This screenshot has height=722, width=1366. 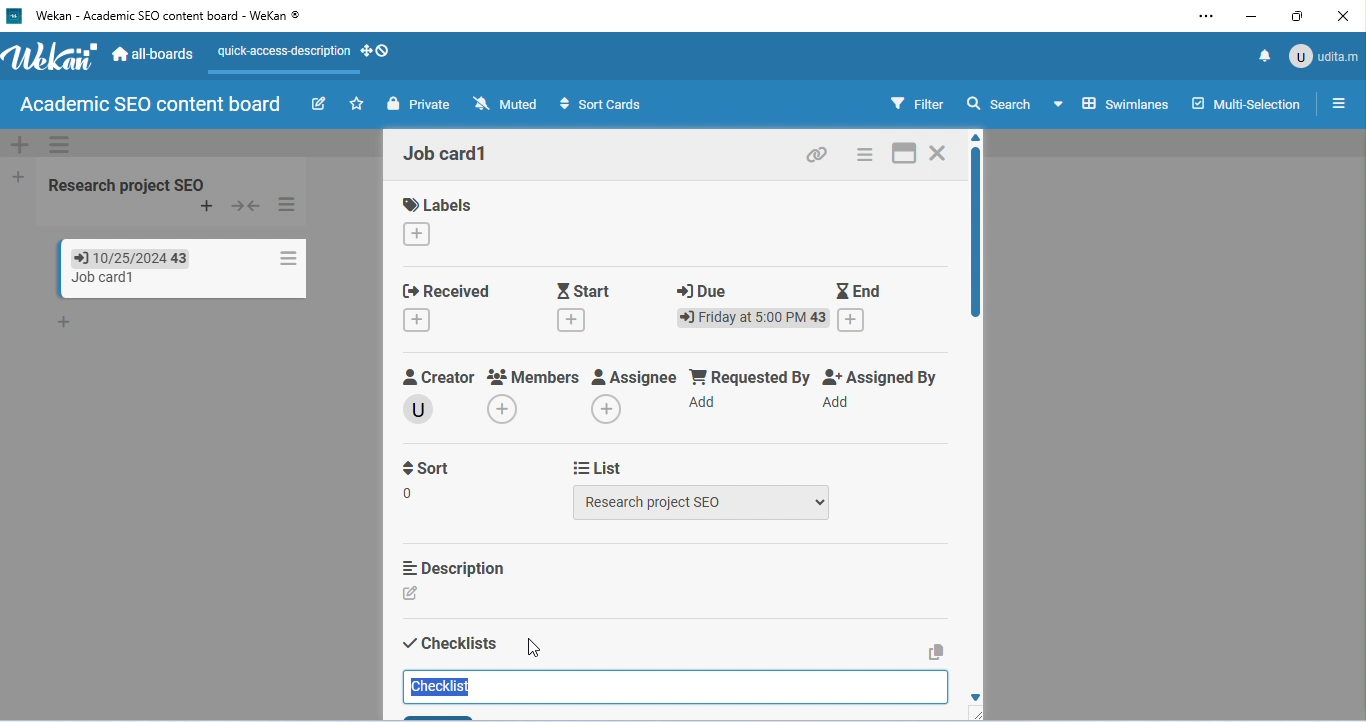 What do you see at coordinates (885, 376) in the screenshot?
I see `assigned by` at bounding box center [885, 376].